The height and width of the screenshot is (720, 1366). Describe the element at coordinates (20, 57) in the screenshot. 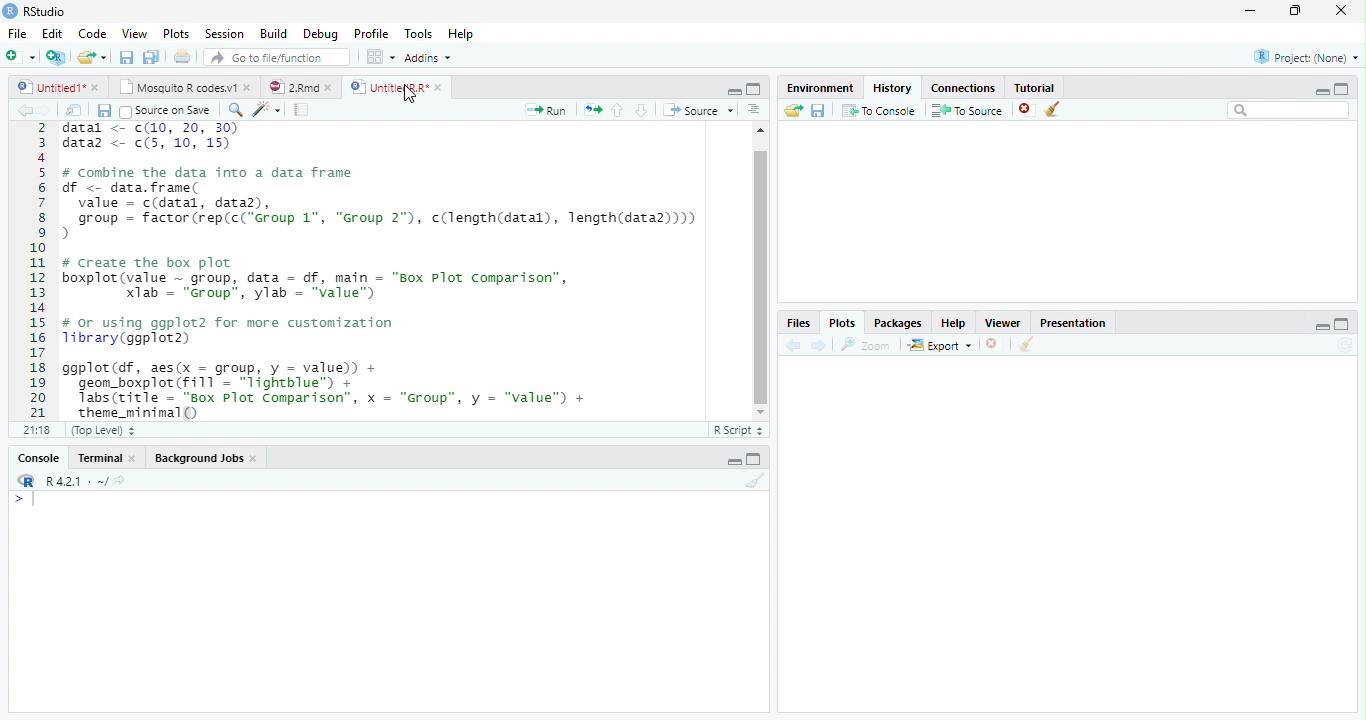

I see `New file` at that location.